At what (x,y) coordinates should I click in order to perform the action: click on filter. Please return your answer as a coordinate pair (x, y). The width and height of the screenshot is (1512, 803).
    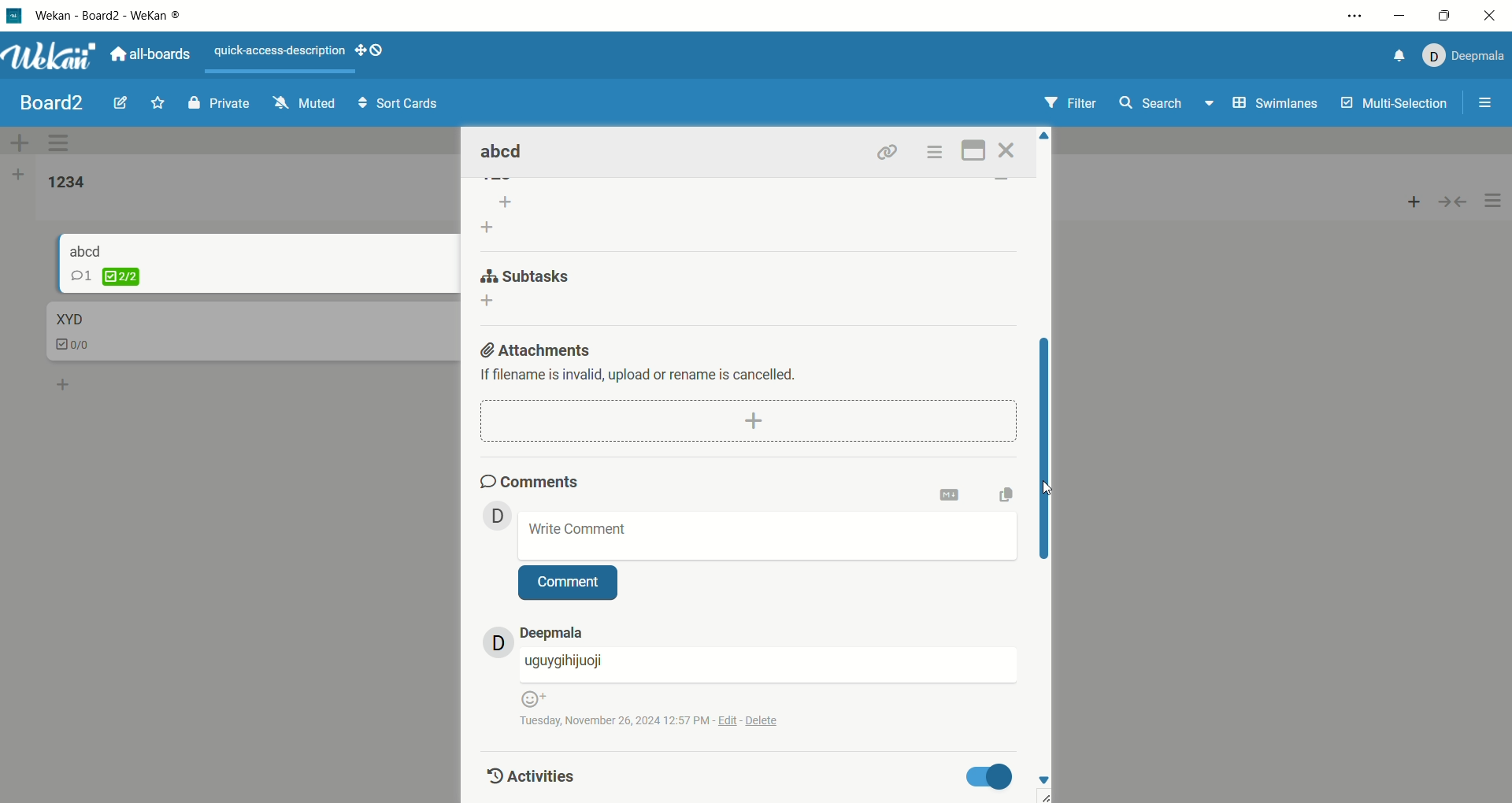
    Looking at the image, I should click on (1073, 104).